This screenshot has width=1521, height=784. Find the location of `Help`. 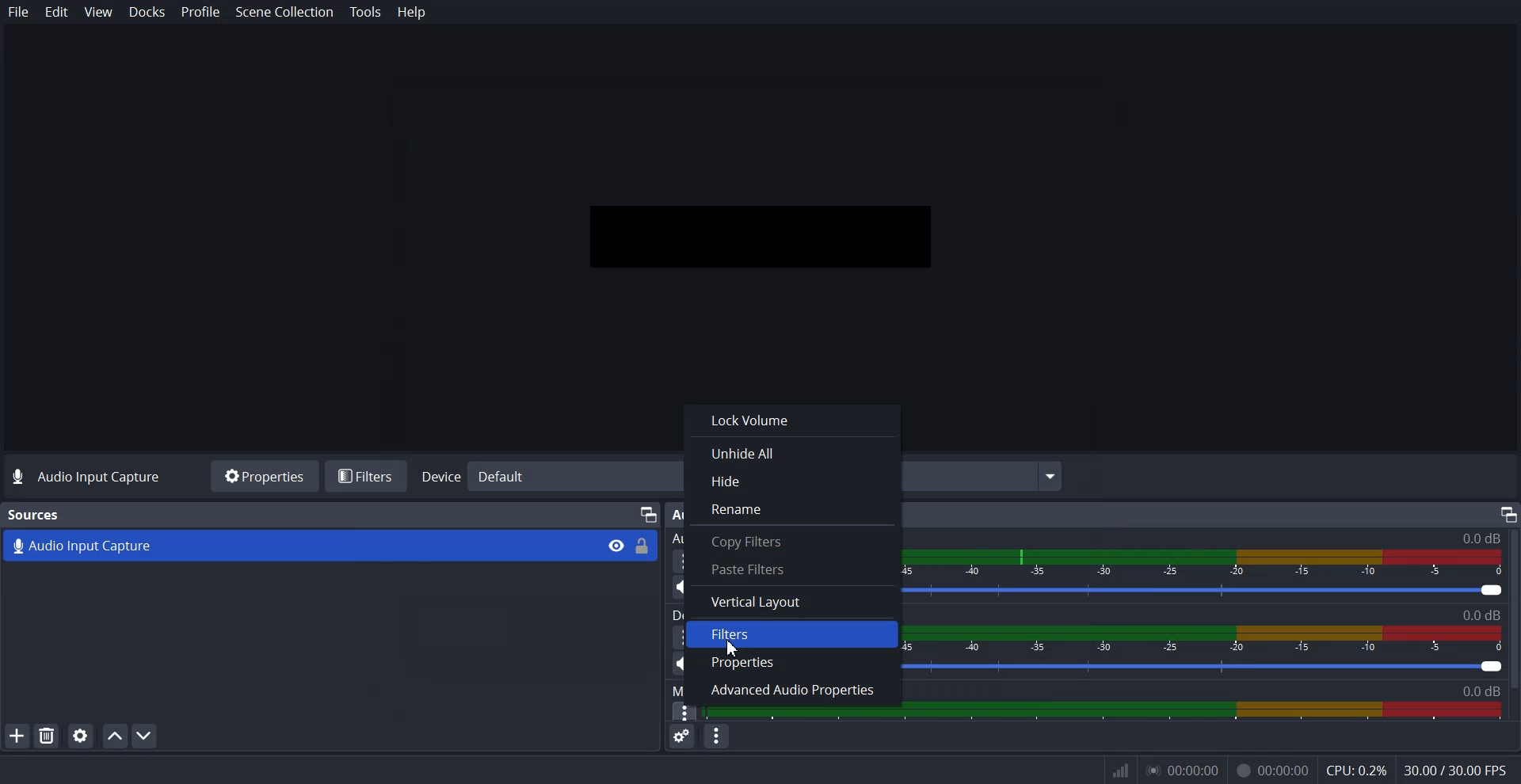

Help is located at coordinates (411, 12).